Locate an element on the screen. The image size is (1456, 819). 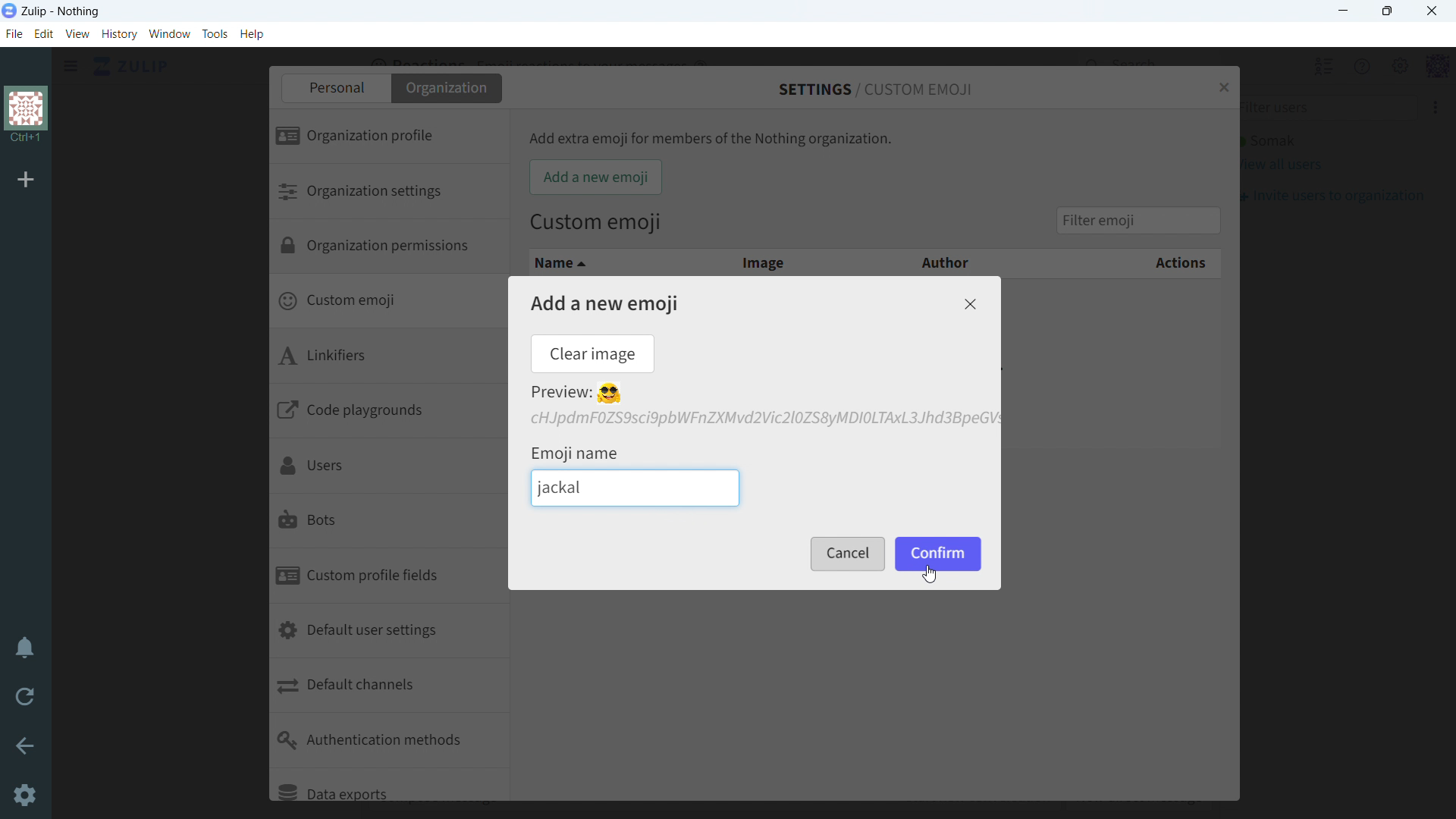
custom profile fields is located at coordinates (388, 577).